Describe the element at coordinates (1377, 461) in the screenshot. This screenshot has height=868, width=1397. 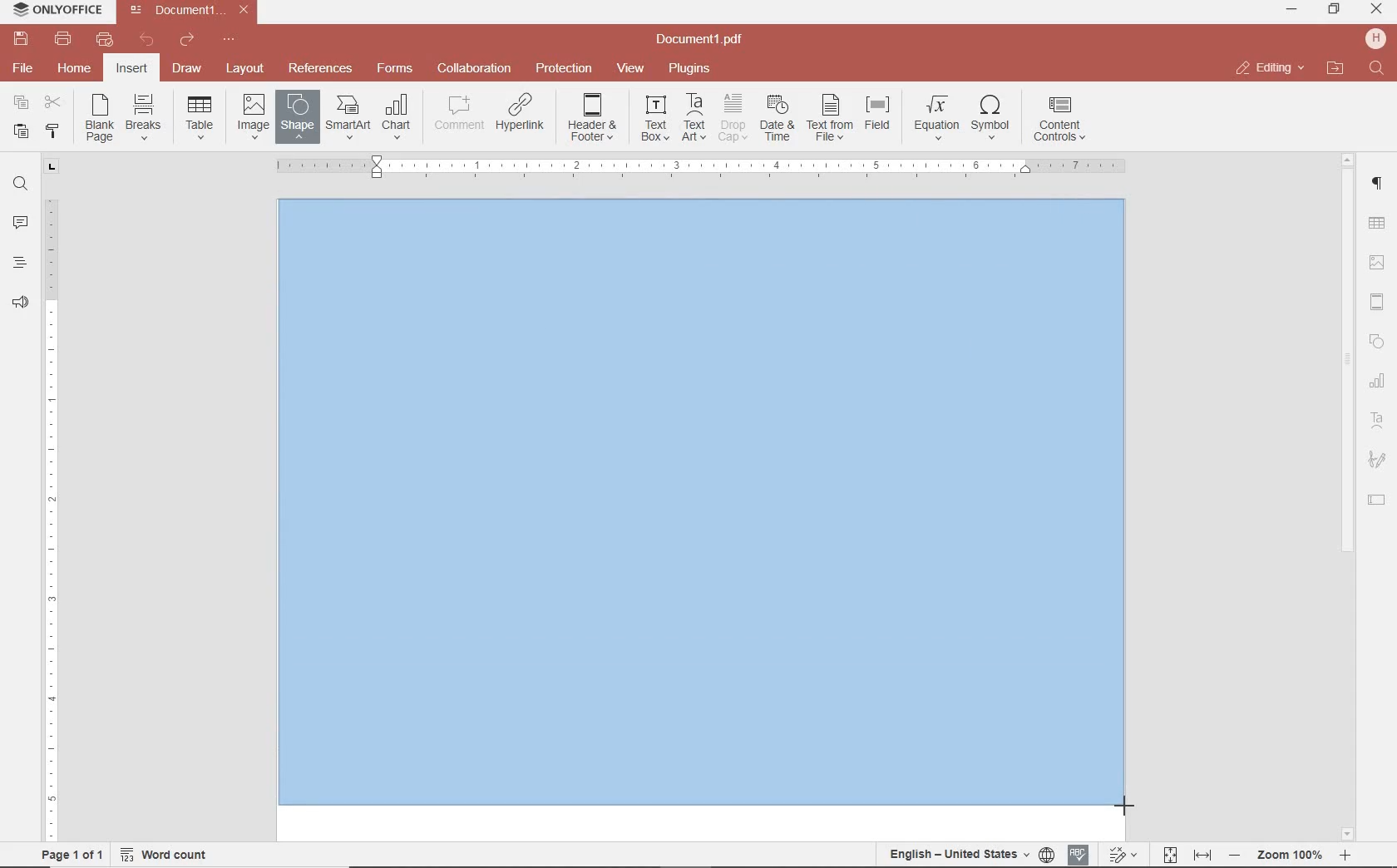
I see `SIGNATURE` at that location.